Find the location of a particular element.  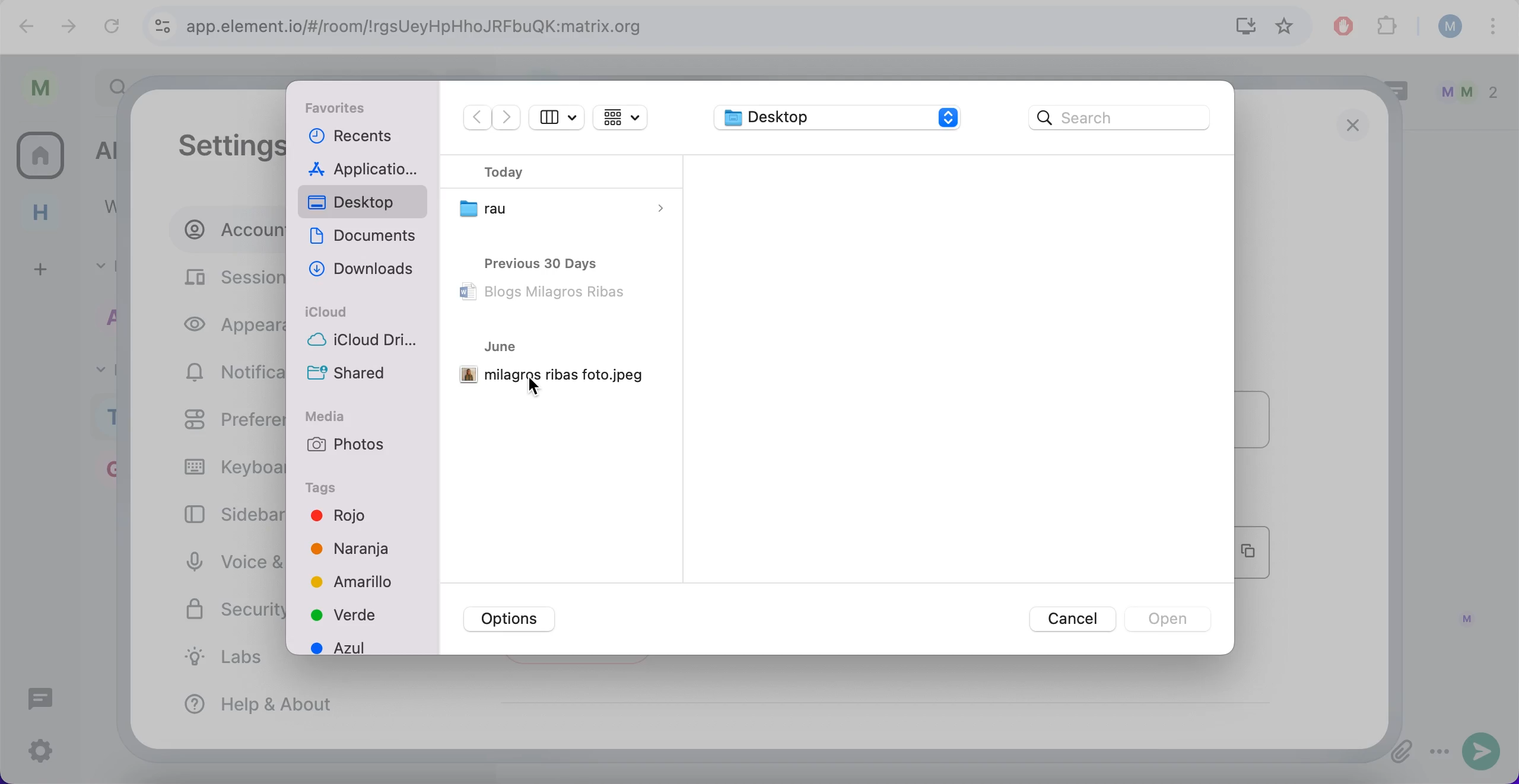

reload current page is located at coordinates (110, 27).